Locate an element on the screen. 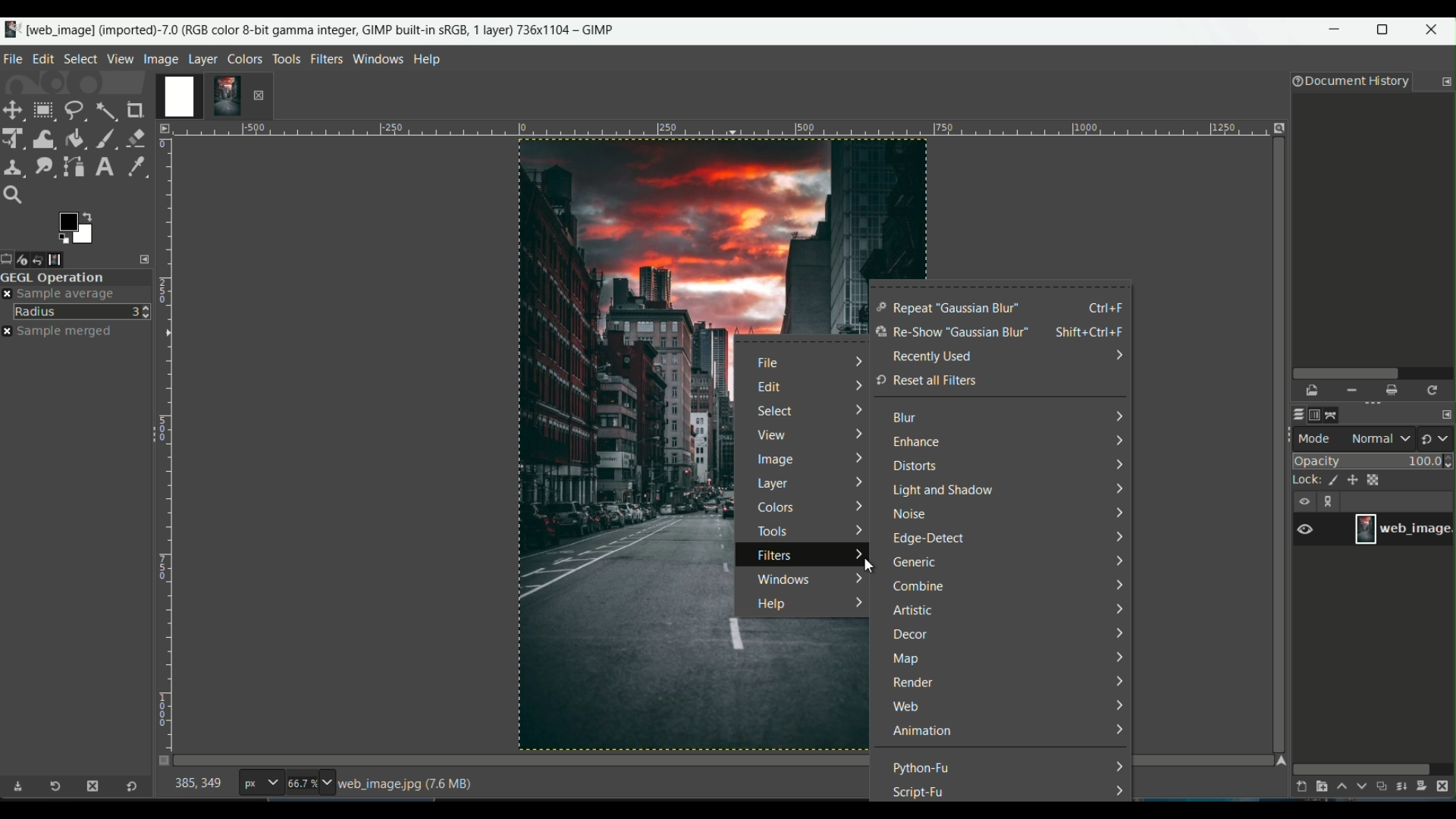  cursor is located at coordinates (867, 564).